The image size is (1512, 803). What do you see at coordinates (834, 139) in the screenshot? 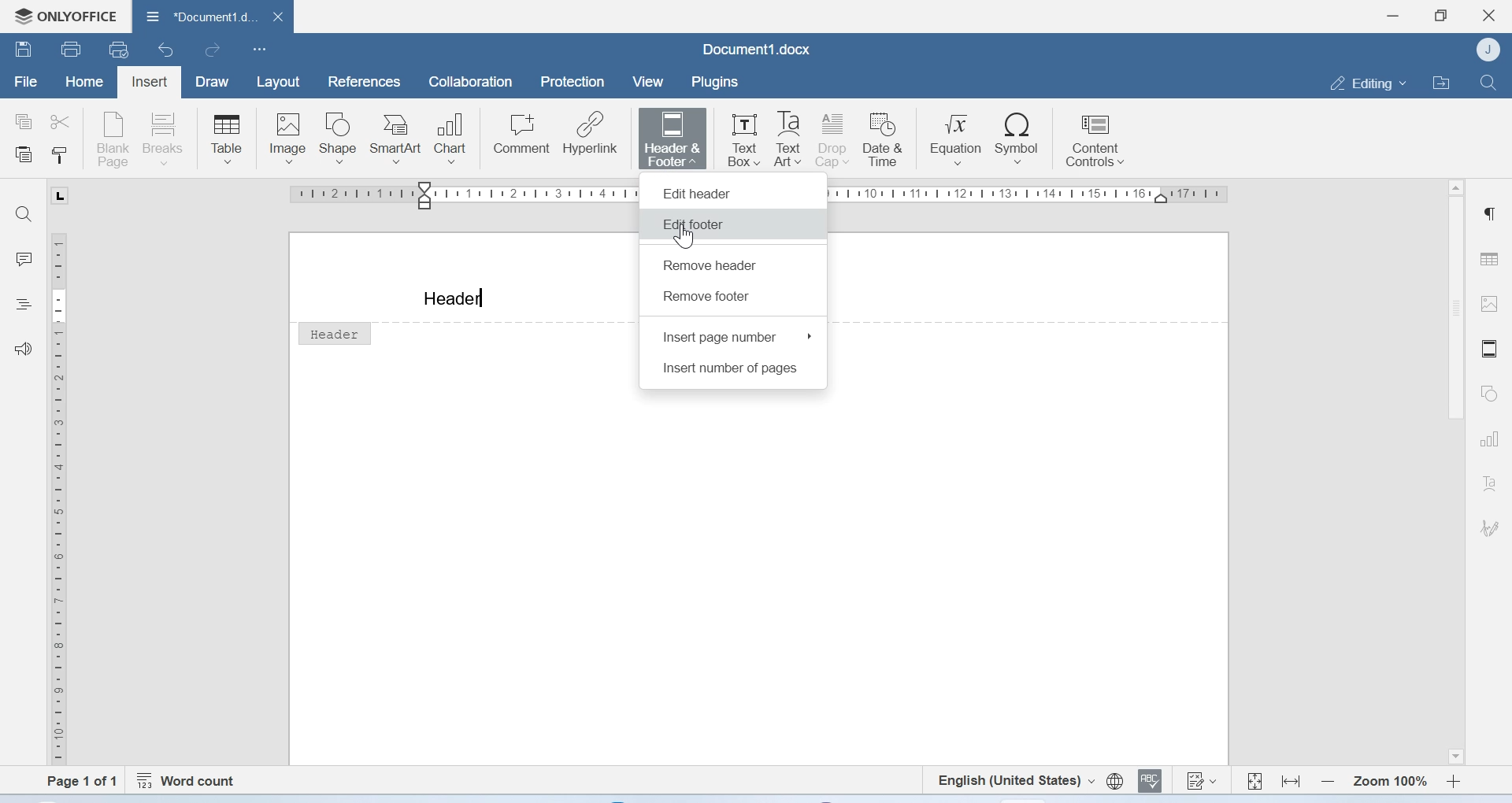
I see `Drop cap` at bounding box center [834, 139].